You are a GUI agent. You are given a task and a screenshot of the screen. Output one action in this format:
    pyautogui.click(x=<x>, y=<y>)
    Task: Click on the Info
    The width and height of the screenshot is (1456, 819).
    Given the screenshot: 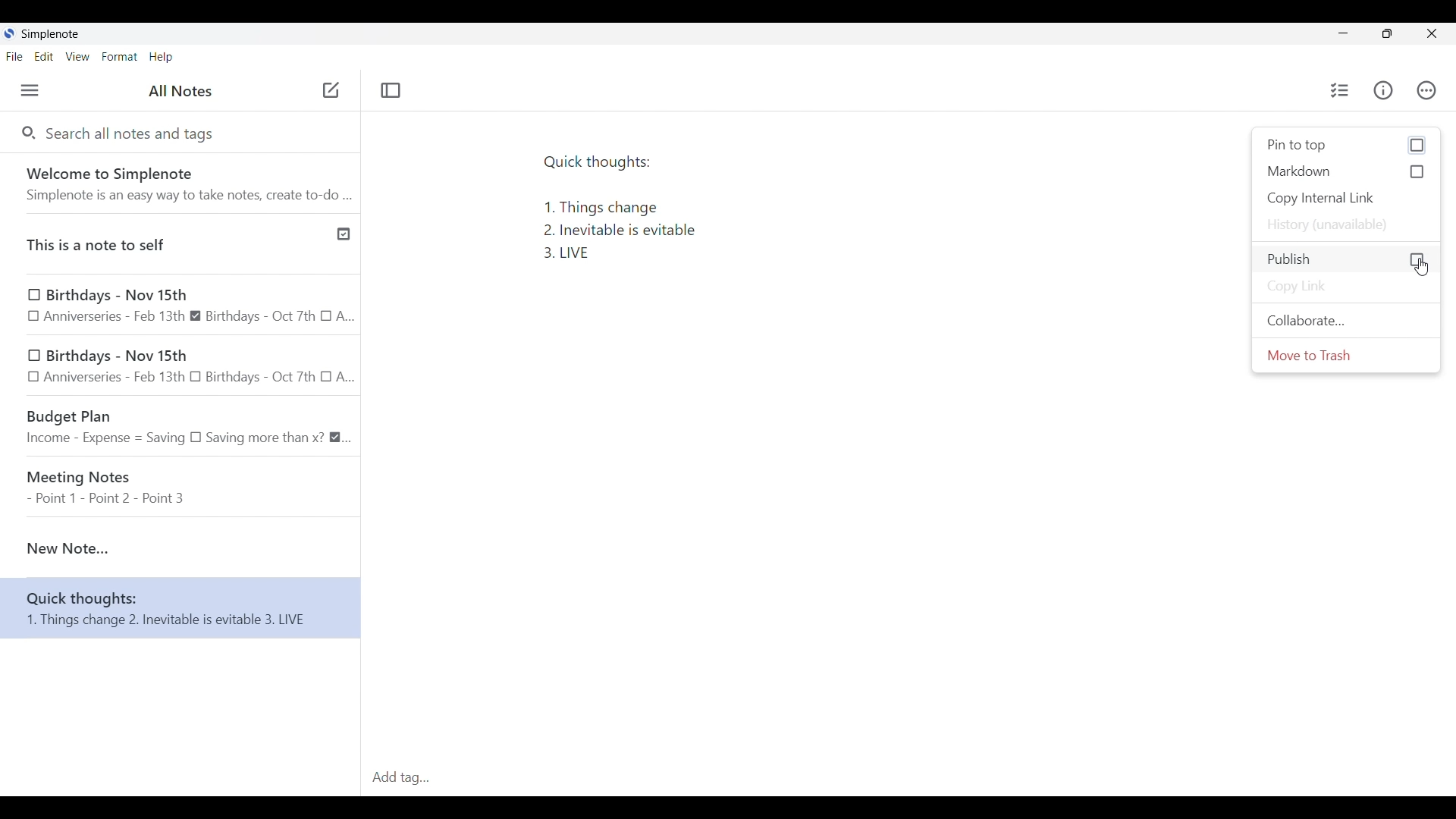 What is the action you would take?
    pyautogui.click(x=1383, y=90)
    